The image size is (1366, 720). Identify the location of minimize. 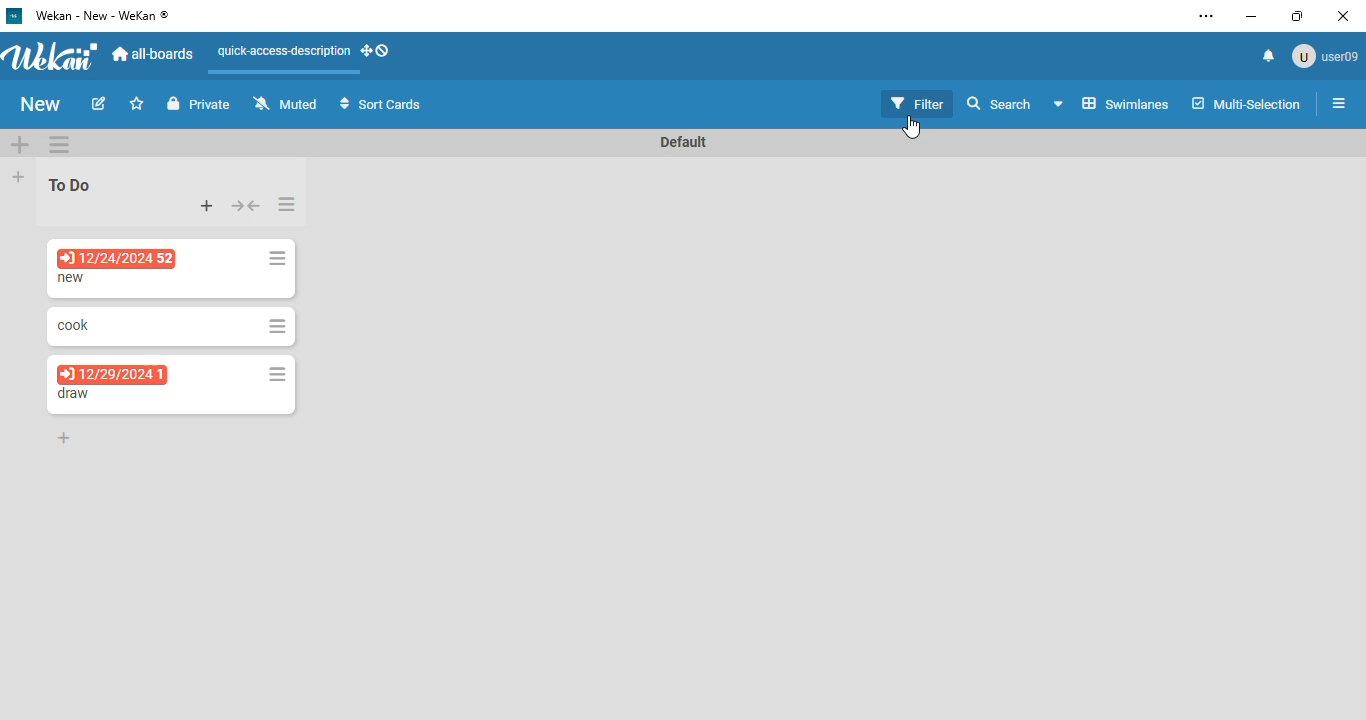
(1257, 16).